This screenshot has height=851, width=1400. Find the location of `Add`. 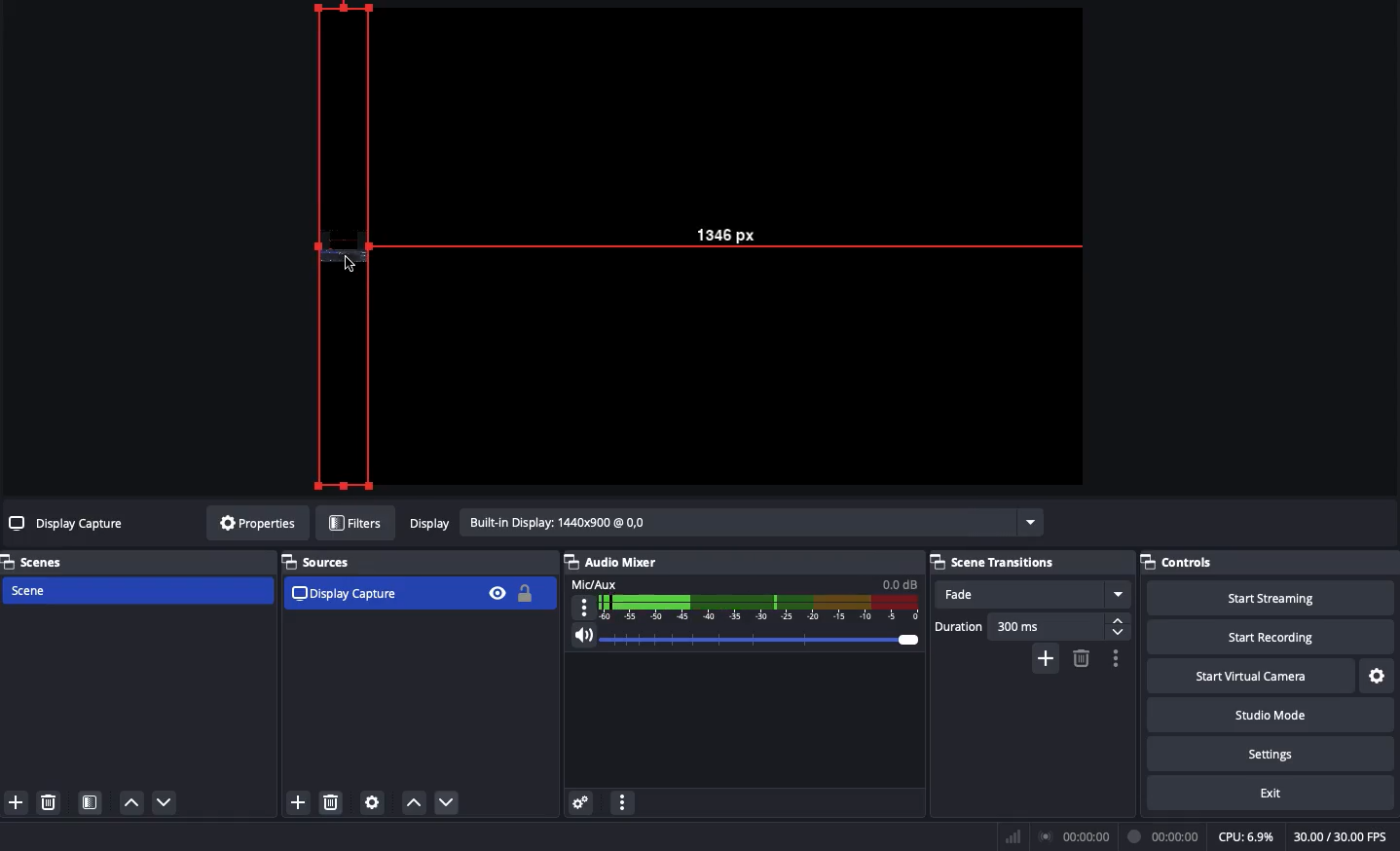

Add is located at coordinates (1048, 657).